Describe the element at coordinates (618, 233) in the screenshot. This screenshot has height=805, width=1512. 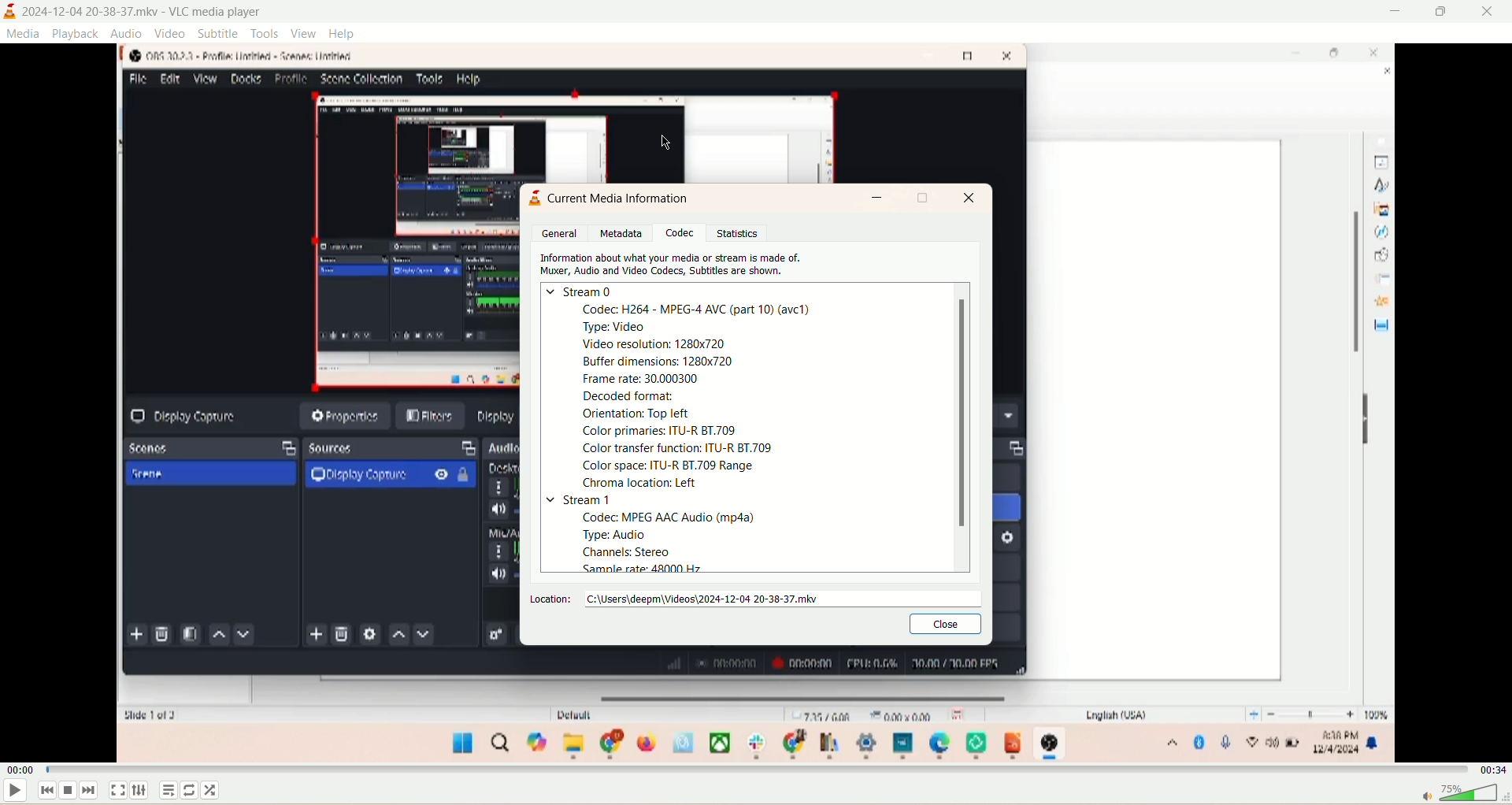
I see `metadata` at that location.